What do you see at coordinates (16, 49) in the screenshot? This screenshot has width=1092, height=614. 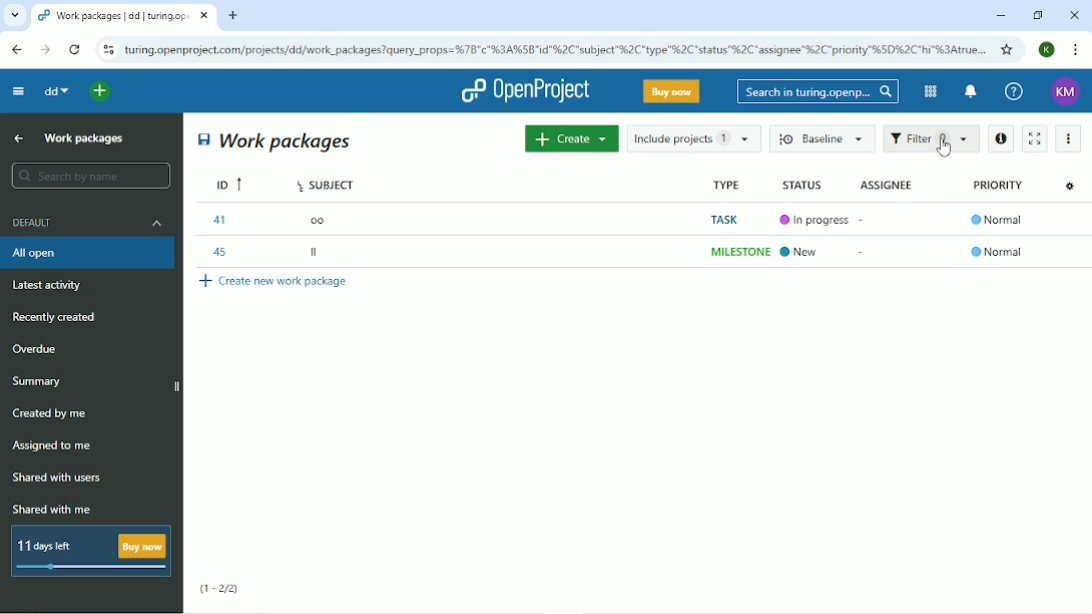 I see `Back` at bounding box center [16, 49].